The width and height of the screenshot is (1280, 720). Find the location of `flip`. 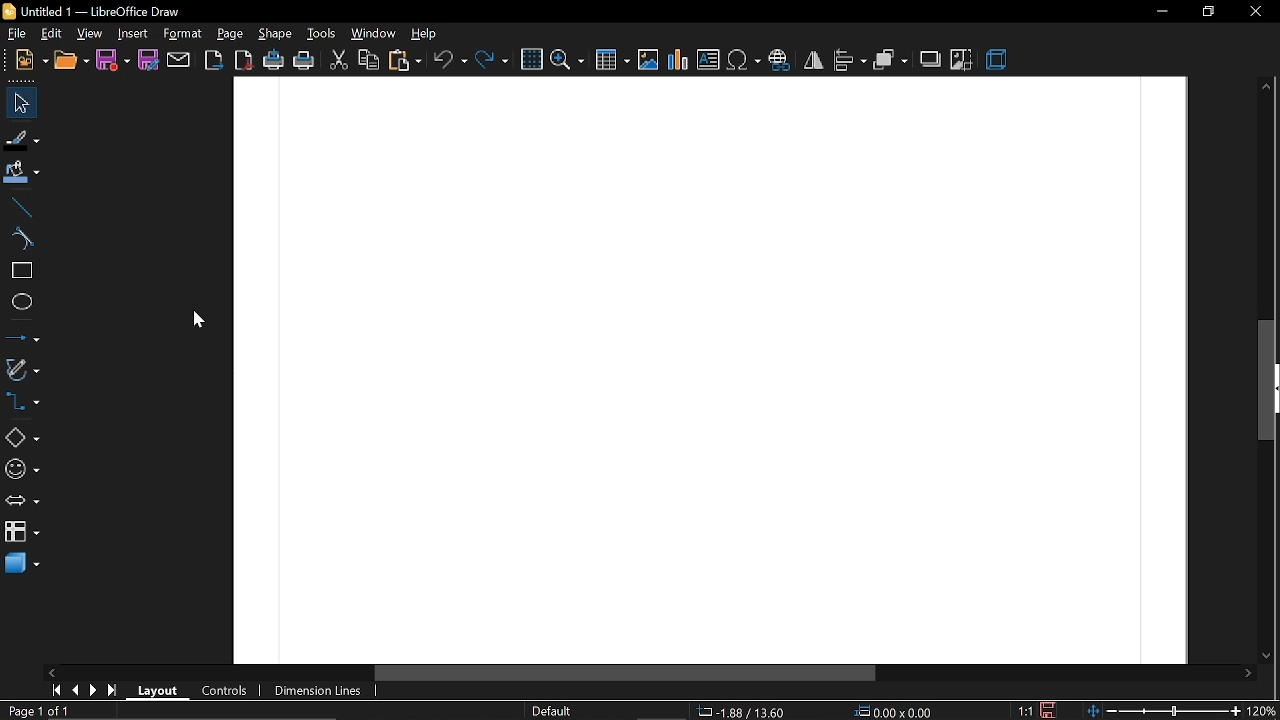

flip is located at coordinates (812, 63).